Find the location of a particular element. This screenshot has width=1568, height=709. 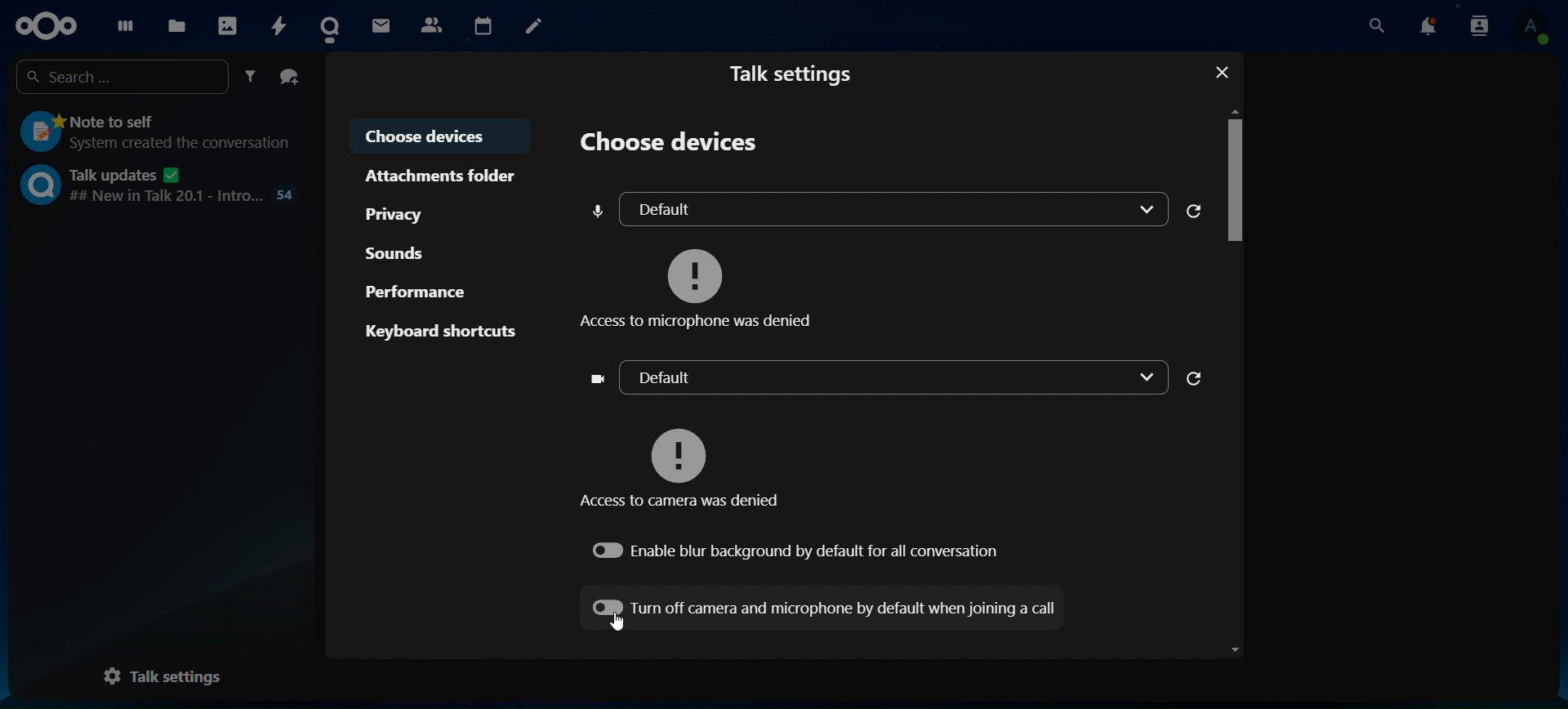

talk is located at coordinates (797, 74).